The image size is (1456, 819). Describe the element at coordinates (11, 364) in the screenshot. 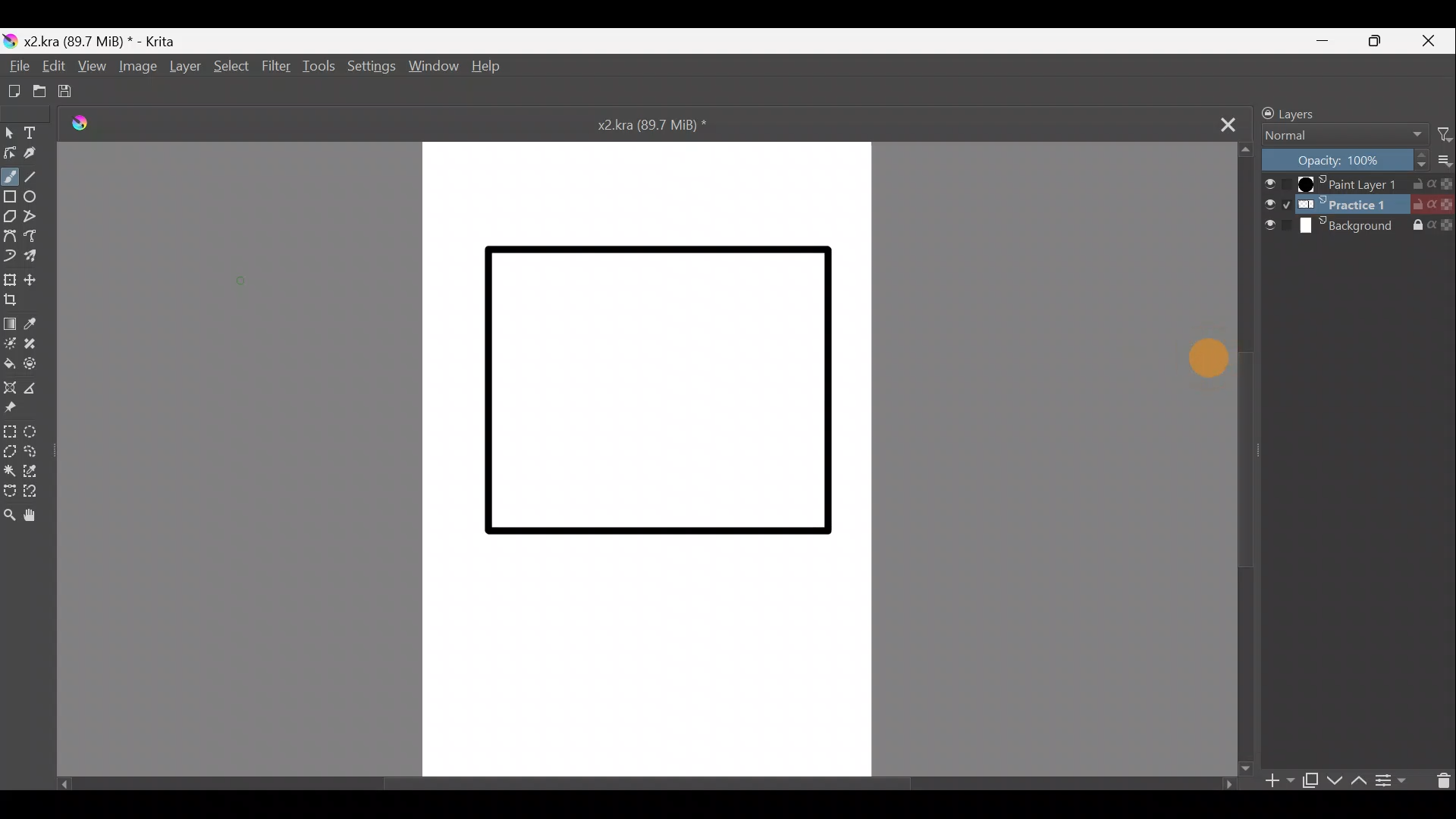

I see `Fill a contiguous area of colour with colour/fill a selection` at that location.